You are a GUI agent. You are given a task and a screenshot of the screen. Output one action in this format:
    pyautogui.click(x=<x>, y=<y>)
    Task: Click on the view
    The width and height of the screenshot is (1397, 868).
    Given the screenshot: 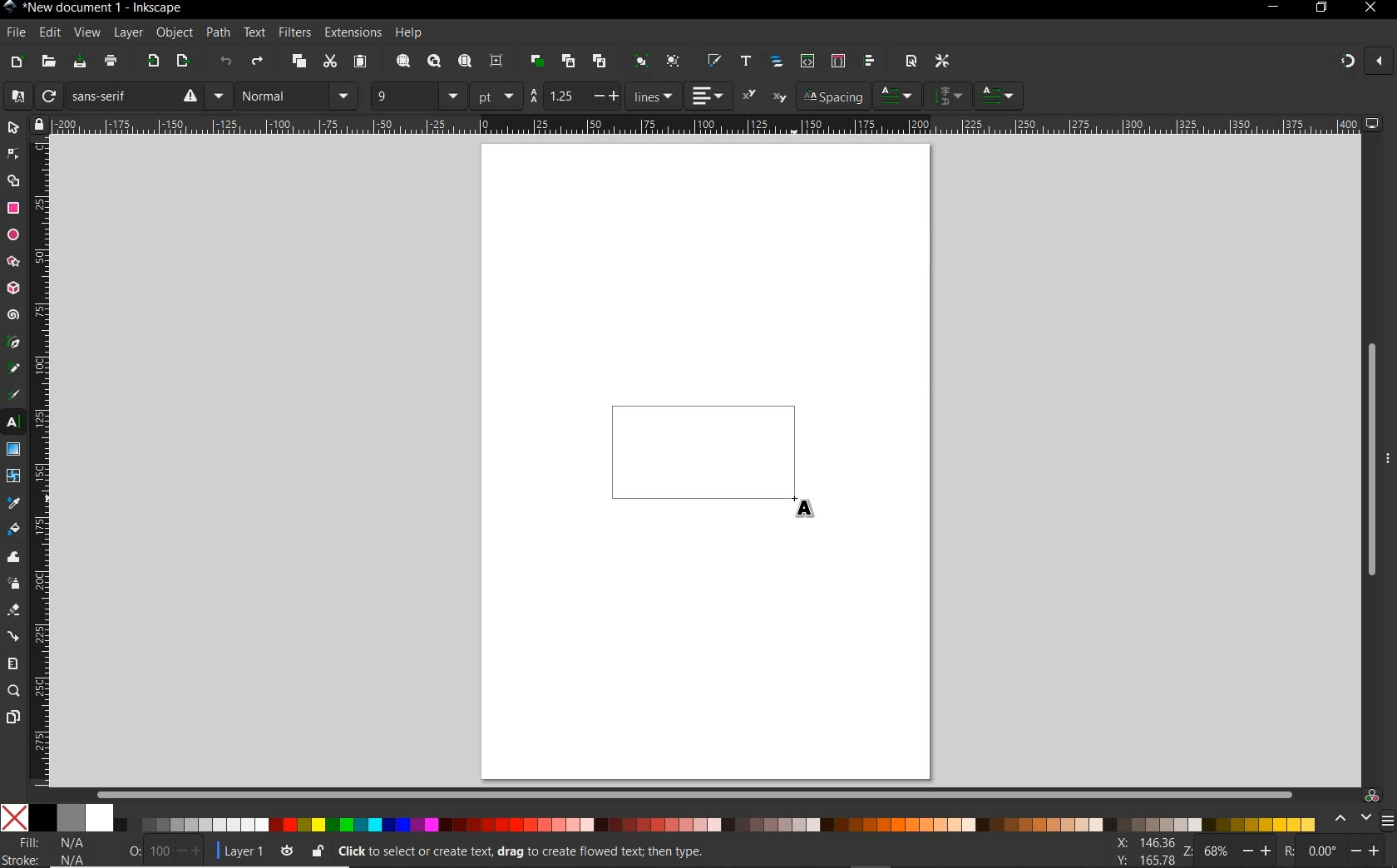 What is the action you would take?
    pyautogui.click(x=86, y=33)
    